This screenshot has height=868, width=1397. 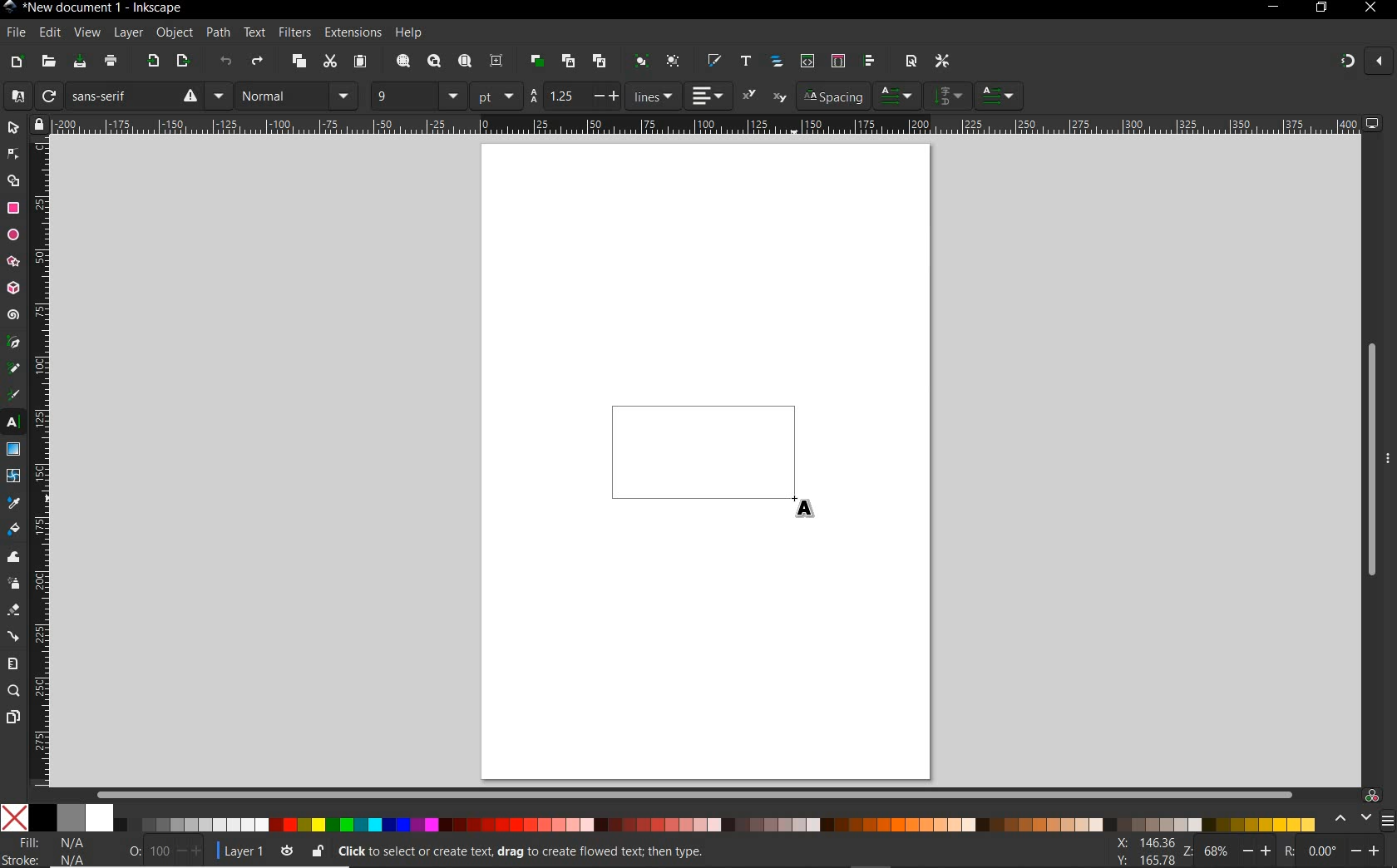 What do you see at coordinates (1387, 821) in the screenshot?
I see `menu` at bounding box center [1387, 821].